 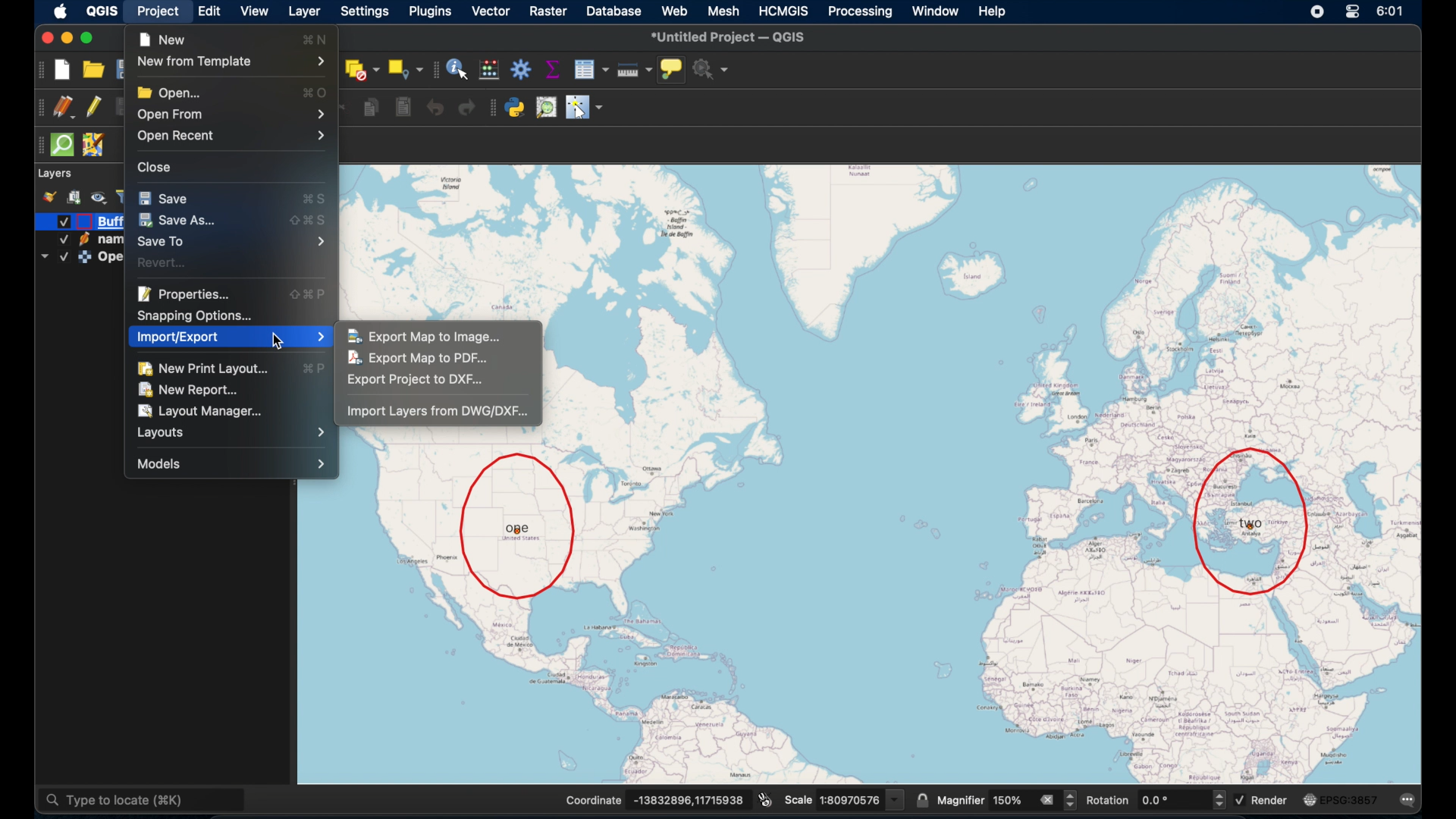 What do you see at coordinates (786, 11) in the screenshot?
I see `HCMGIS` at bounding box center [786, 11].